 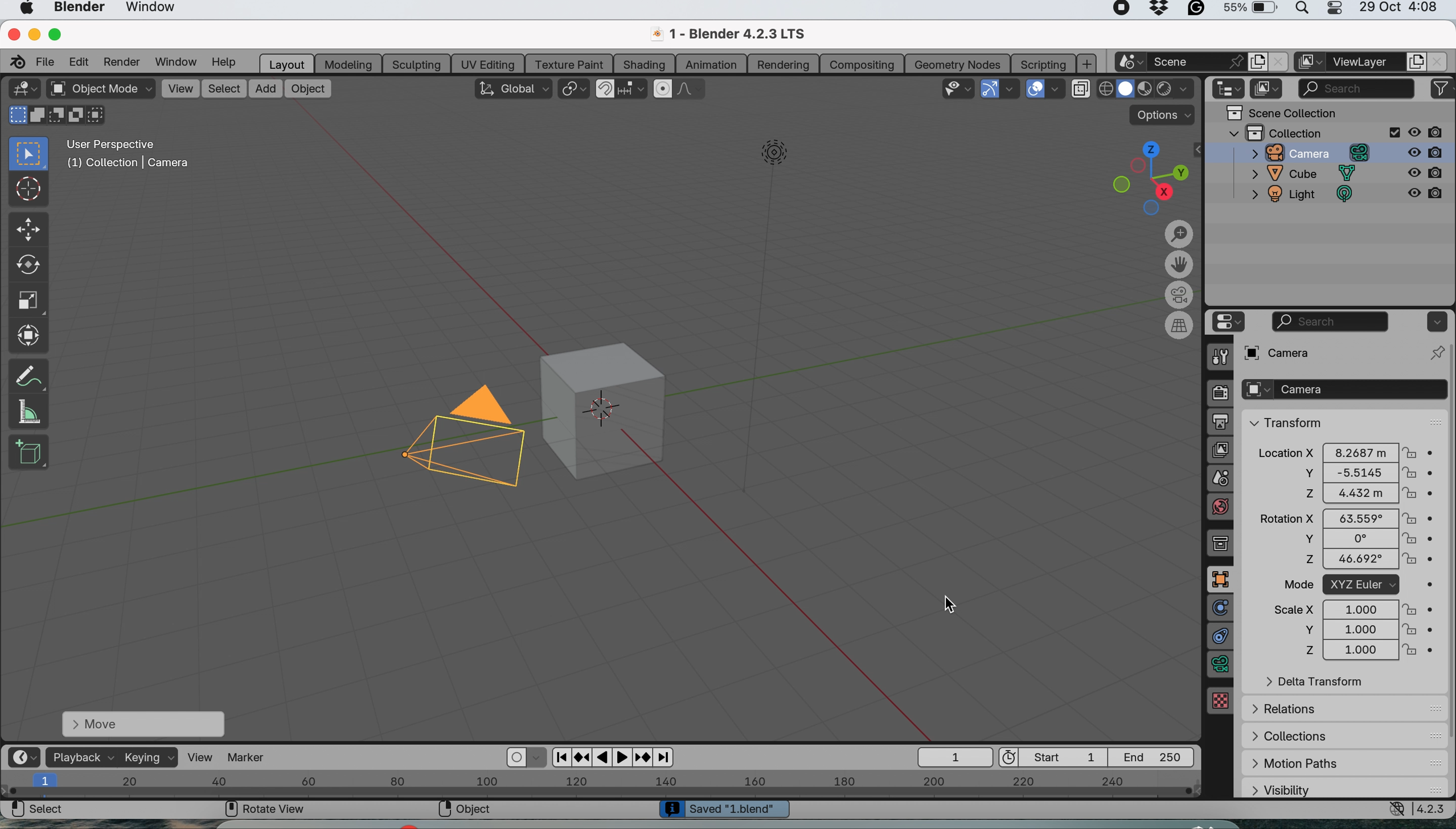 I want to click on network settings, so click(x=1395, y=810).